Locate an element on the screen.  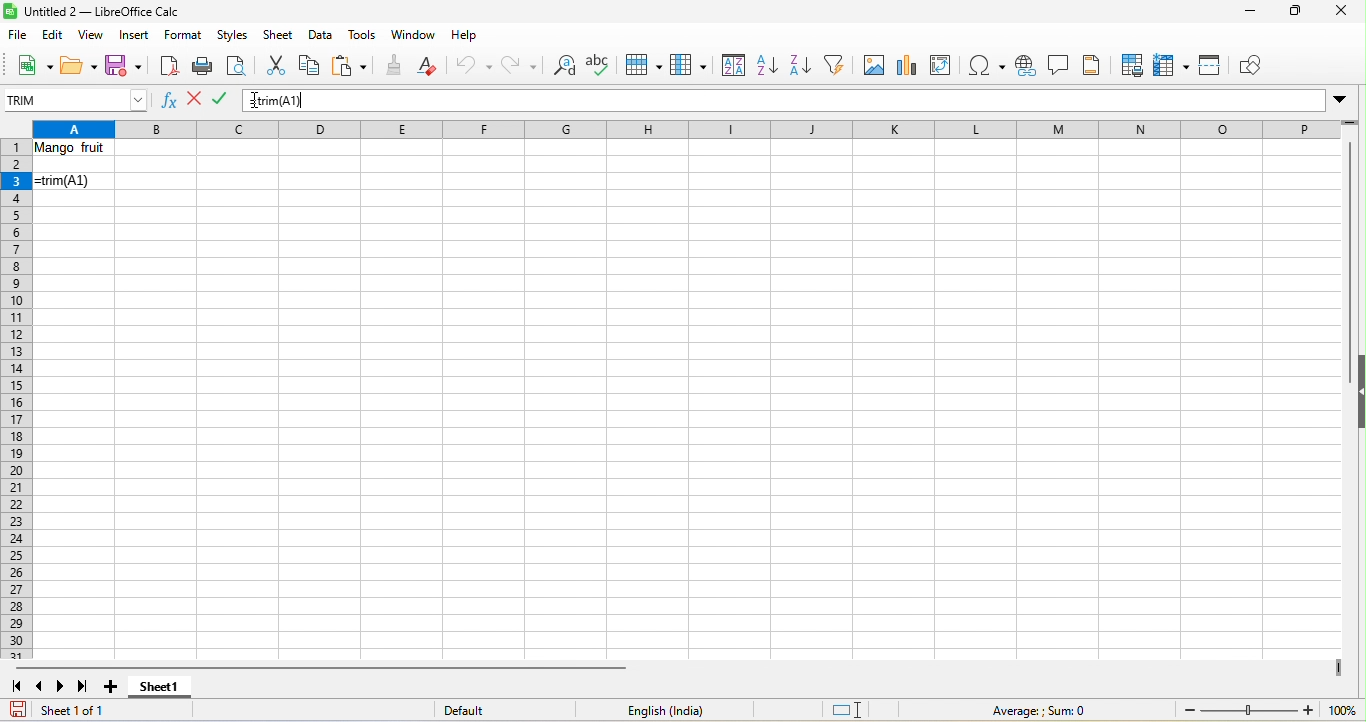
cursor is located at coordinates (258, 102).